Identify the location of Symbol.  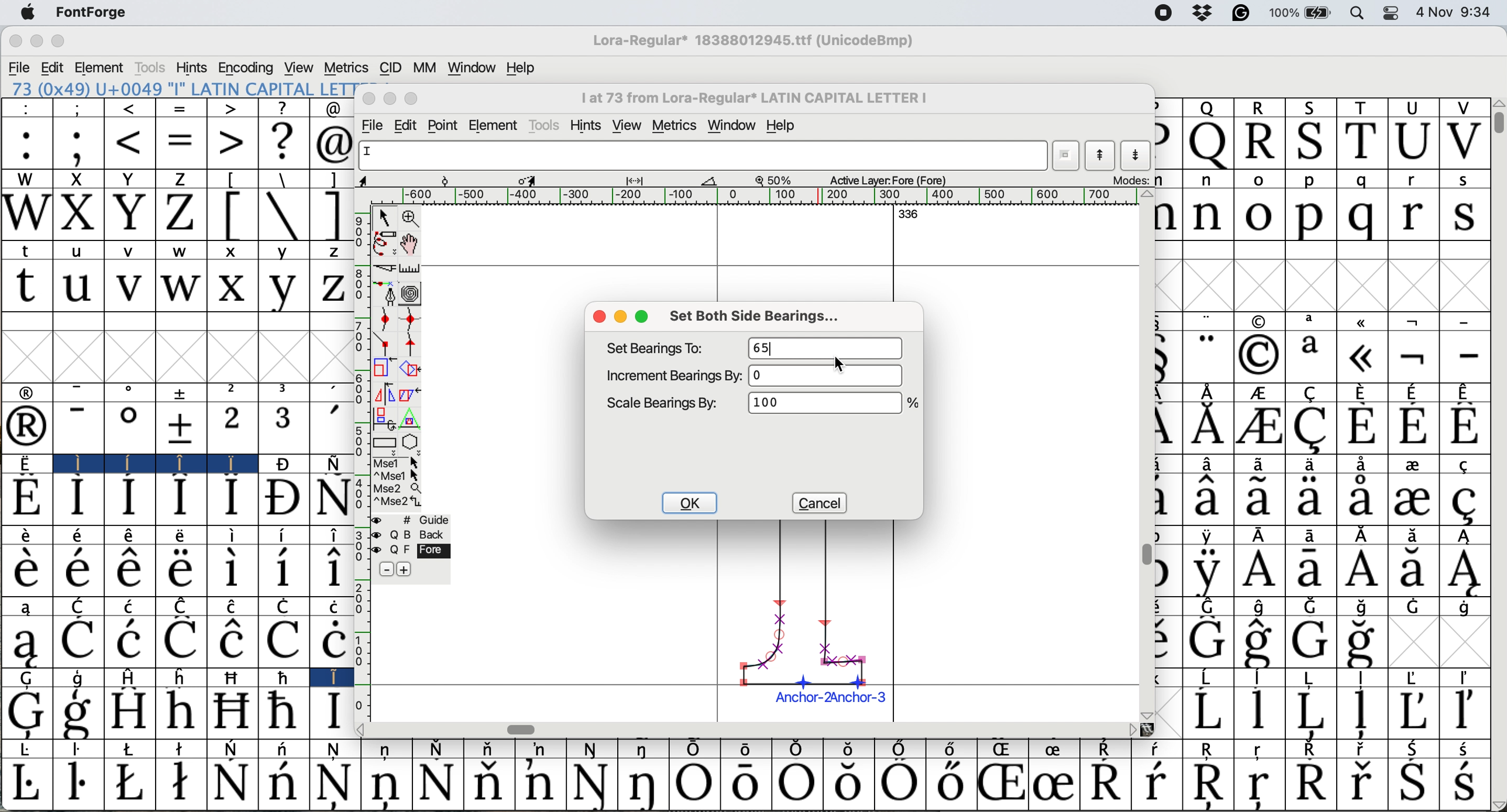
(1361, 783).